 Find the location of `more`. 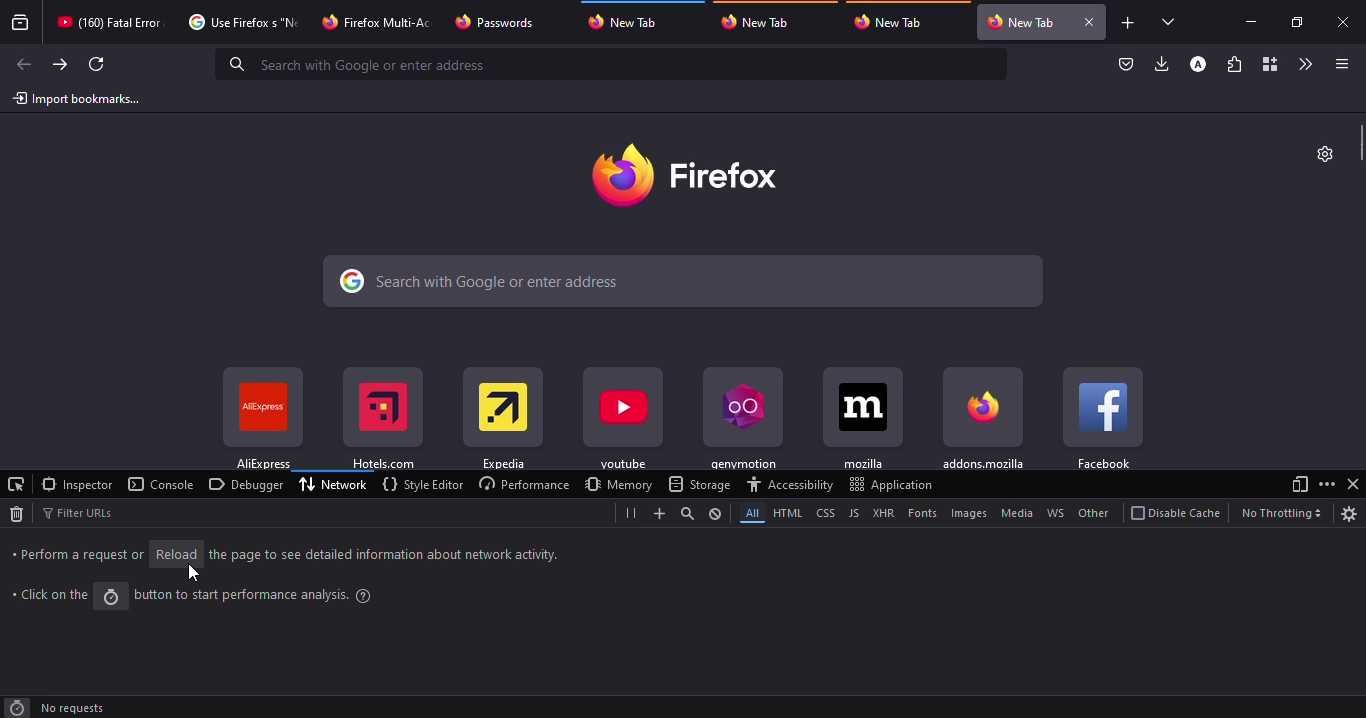

more is located at coordinates (1327, 483).